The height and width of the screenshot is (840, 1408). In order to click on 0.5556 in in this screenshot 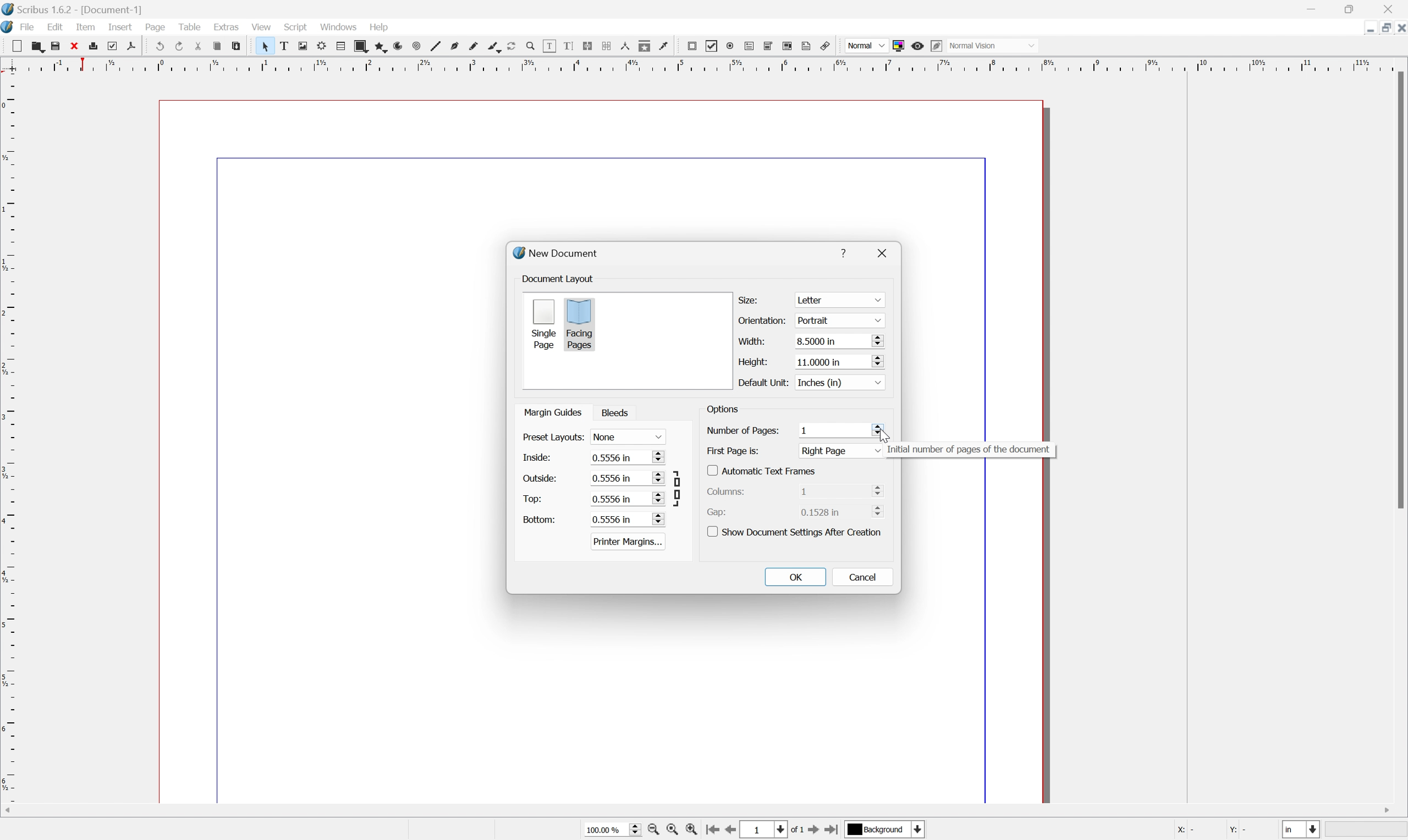, I will do `click(627, 519)`.